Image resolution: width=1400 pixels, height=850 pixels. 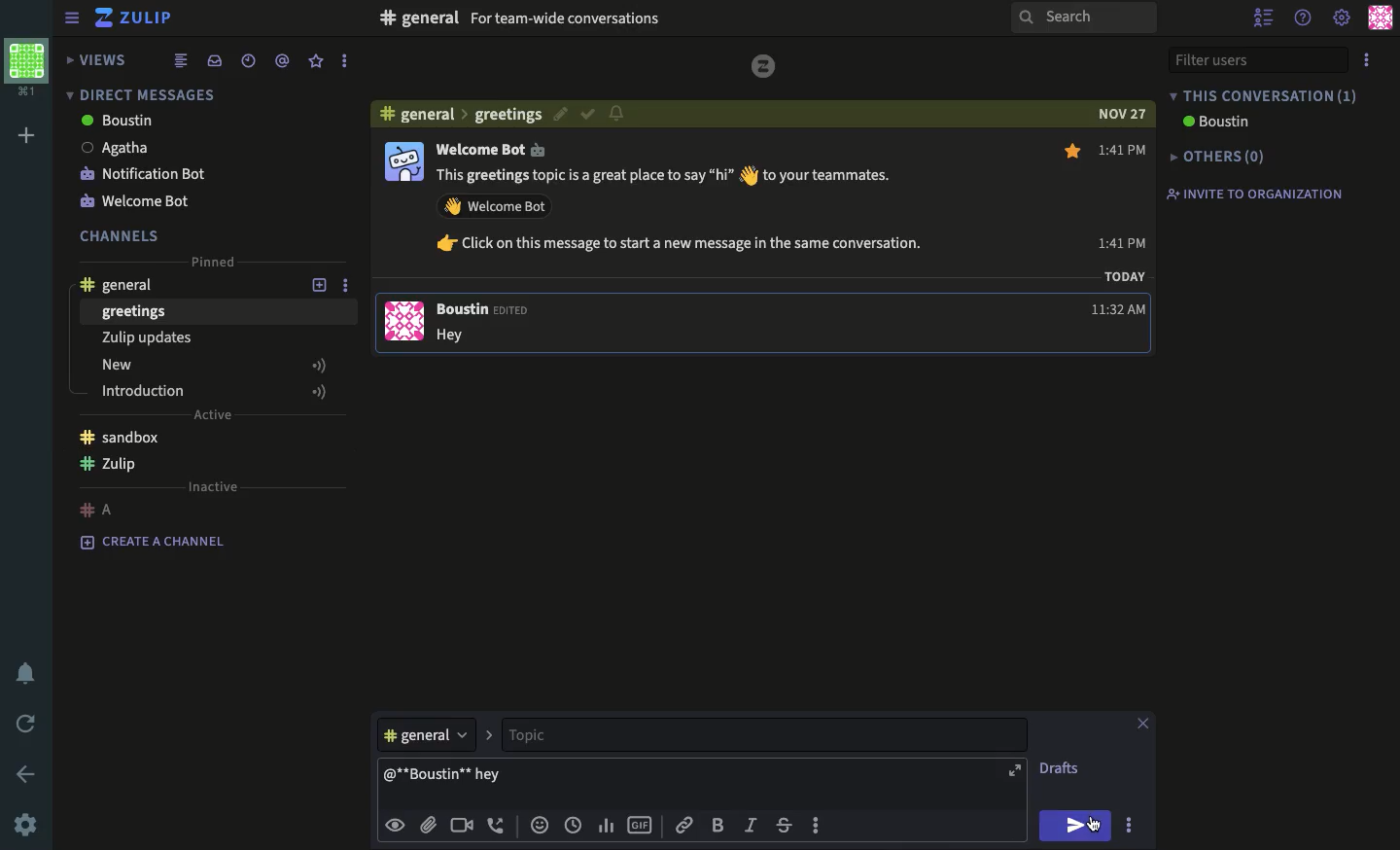 I want to click on search, so click(x=1086, y=19).